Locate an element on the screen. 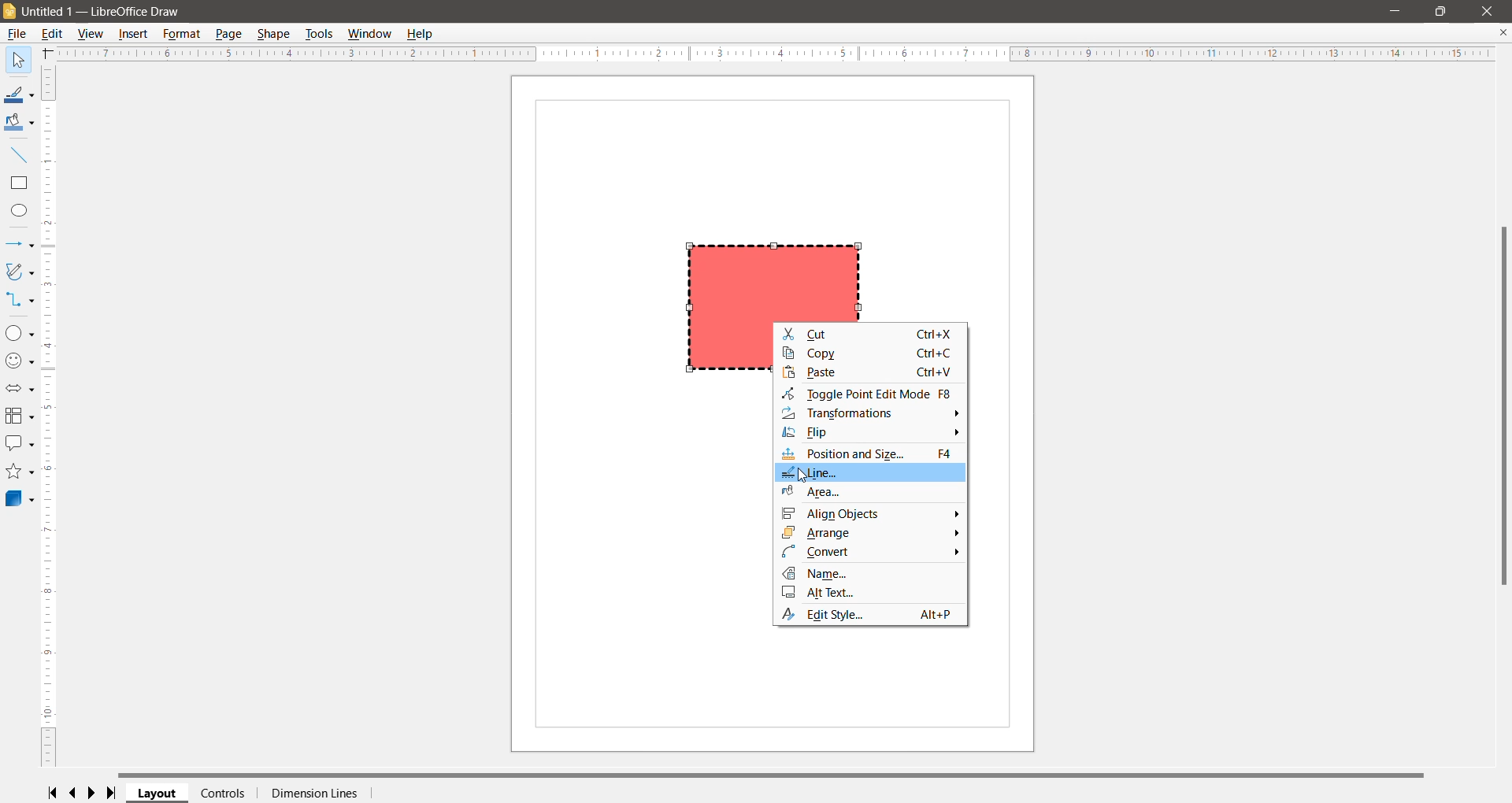  Restore Down is located at coordinates (1442, 12).